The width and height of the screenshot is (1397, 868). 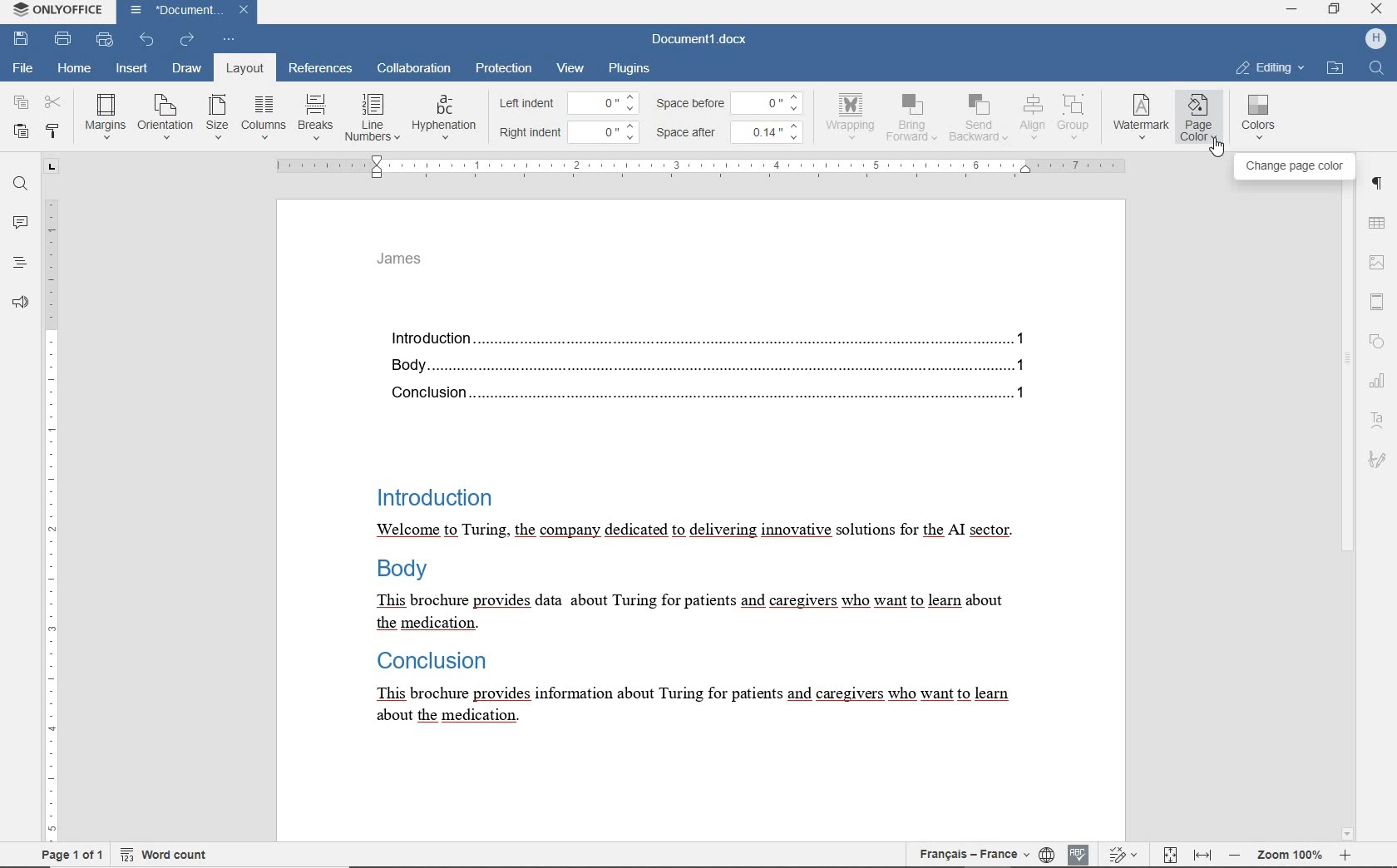 What do you see at coordinates (147, 40) in the screenshot?
I see `undo` at bounding box center [147, 40].